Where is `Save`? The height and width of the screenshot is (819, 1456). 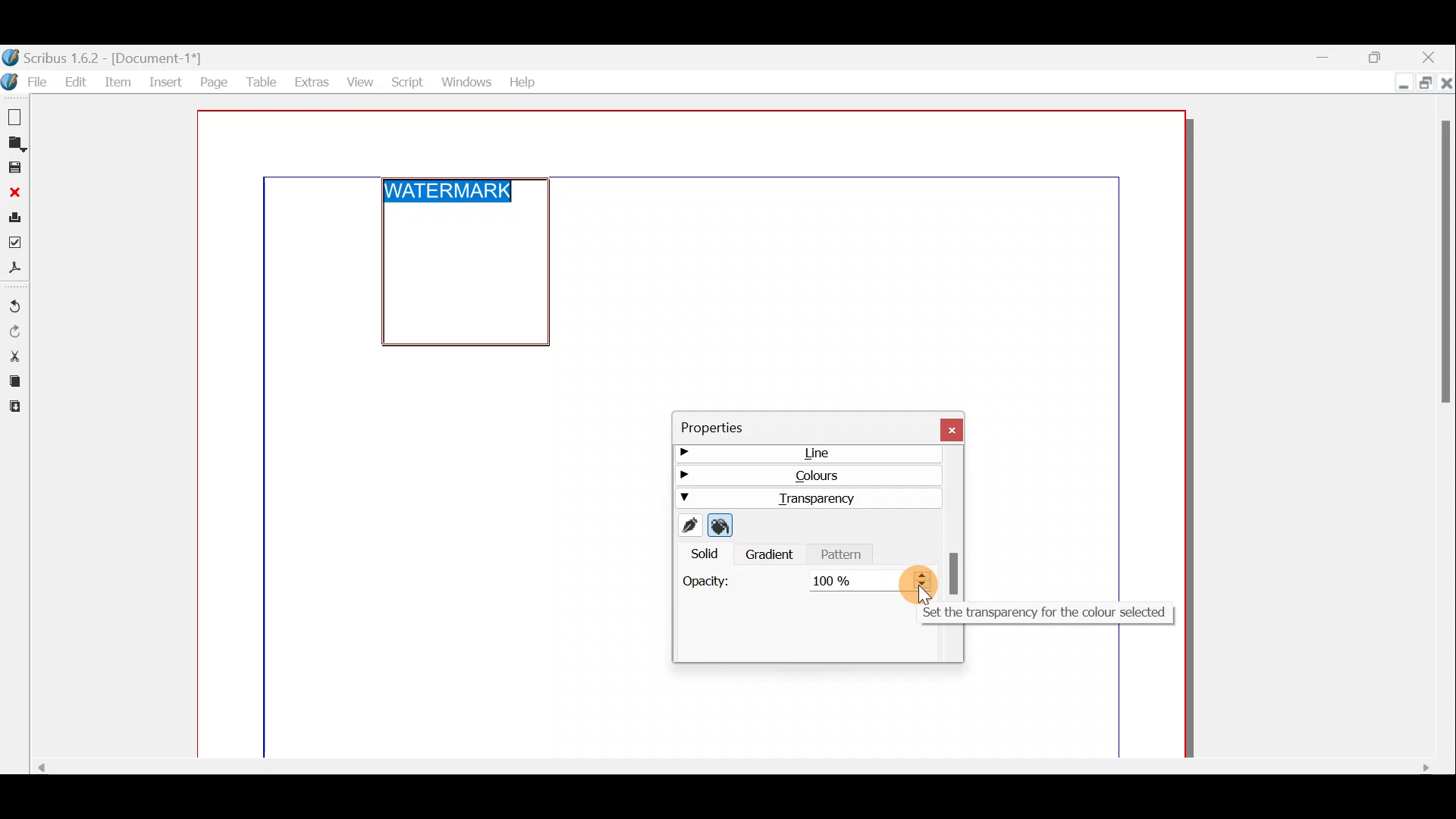 Save is located at coordinates (14, 168).